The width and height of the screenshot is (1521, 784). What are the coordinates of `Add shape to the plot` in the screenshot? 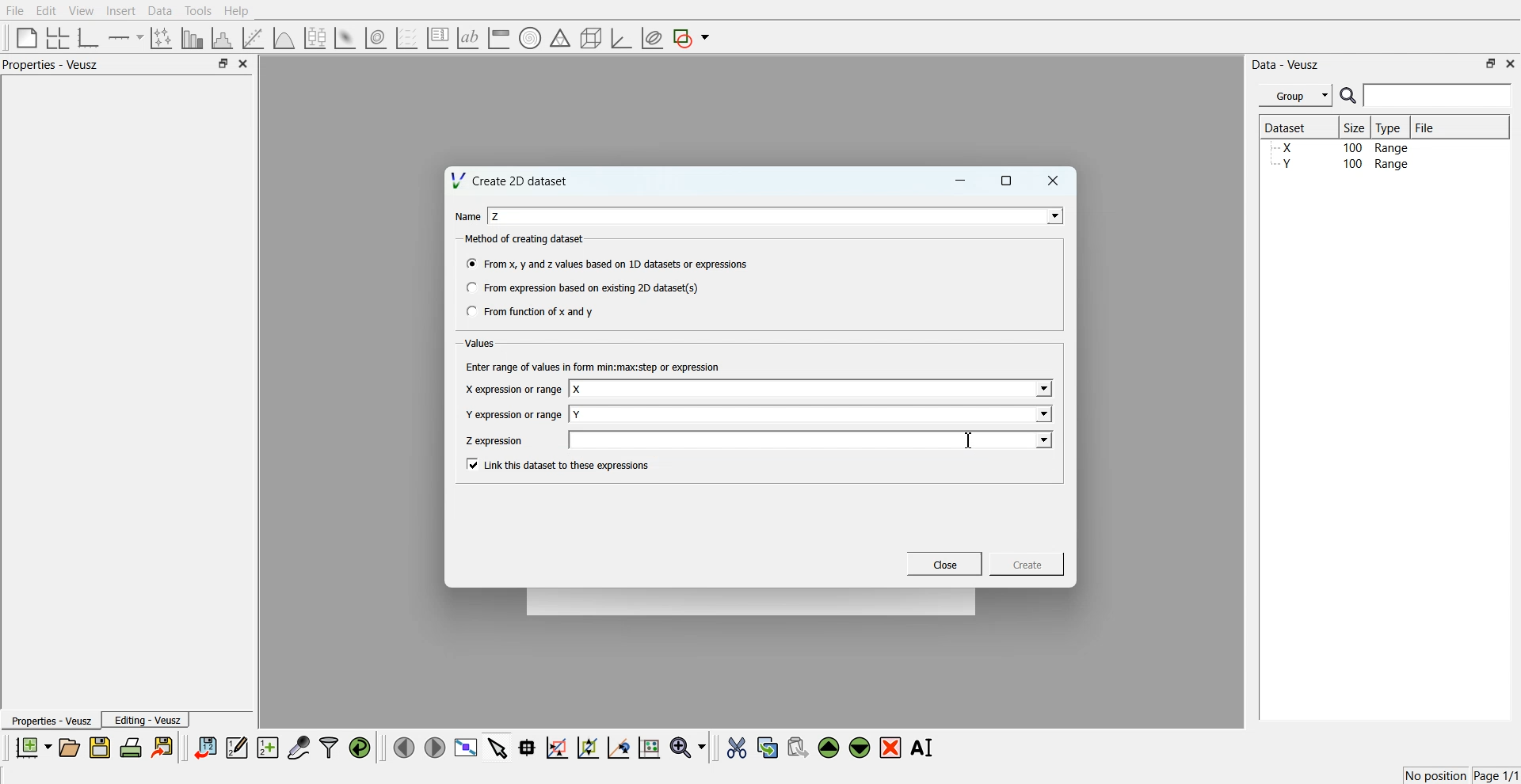 It's located at (691, 38).